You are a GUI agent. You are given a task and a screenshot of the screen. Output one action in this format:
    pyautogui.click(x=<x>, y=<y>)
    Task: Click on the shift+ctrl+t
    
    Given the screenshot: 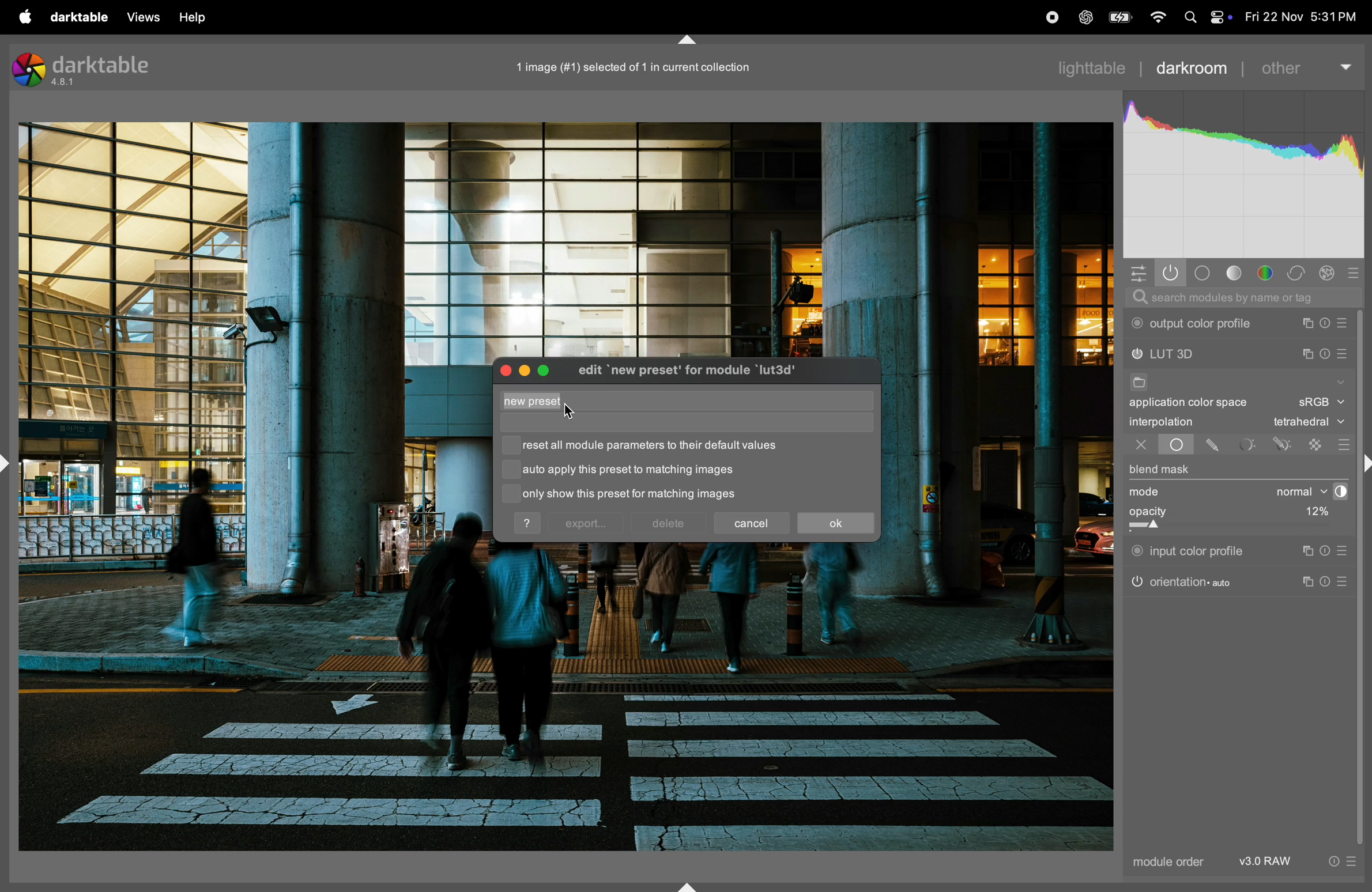 What is the action you would take?
    pyautogui.click(x=685, y=40)
    